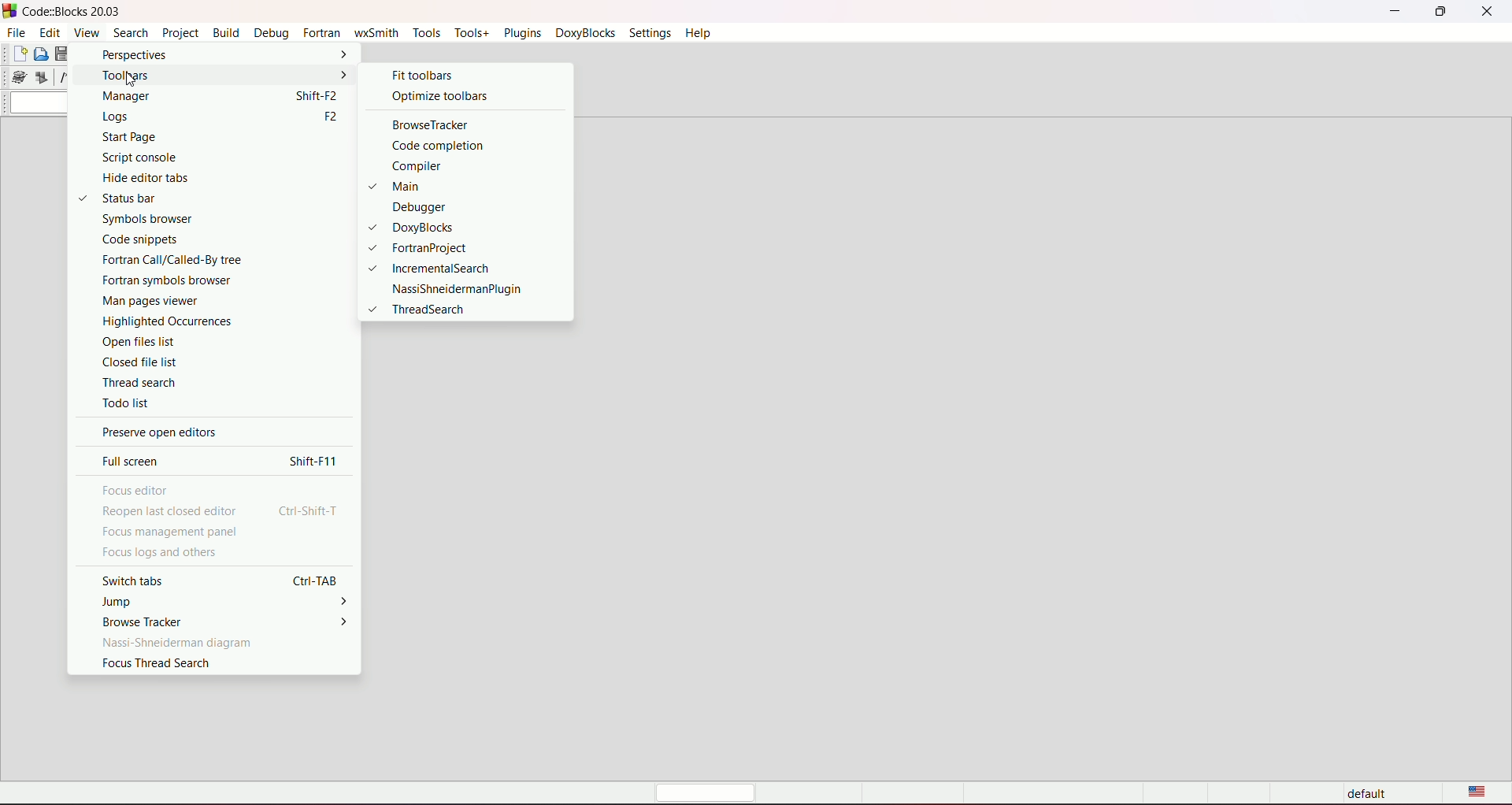  I want to click on debugger, so click(445, 207).